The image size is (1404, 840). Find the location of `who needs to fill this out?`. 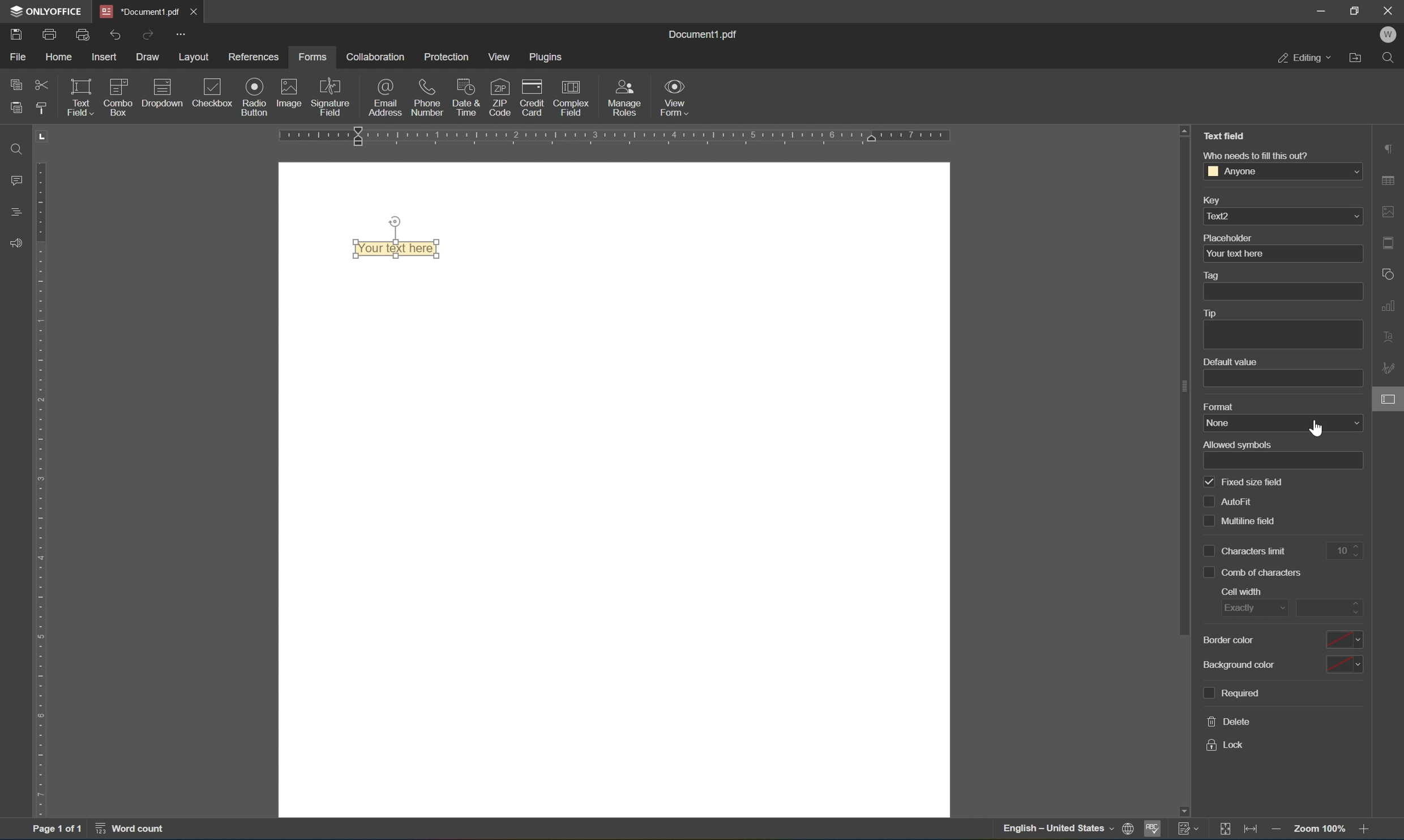

who needs to fill this out? is located at coordinates (1258, 155).